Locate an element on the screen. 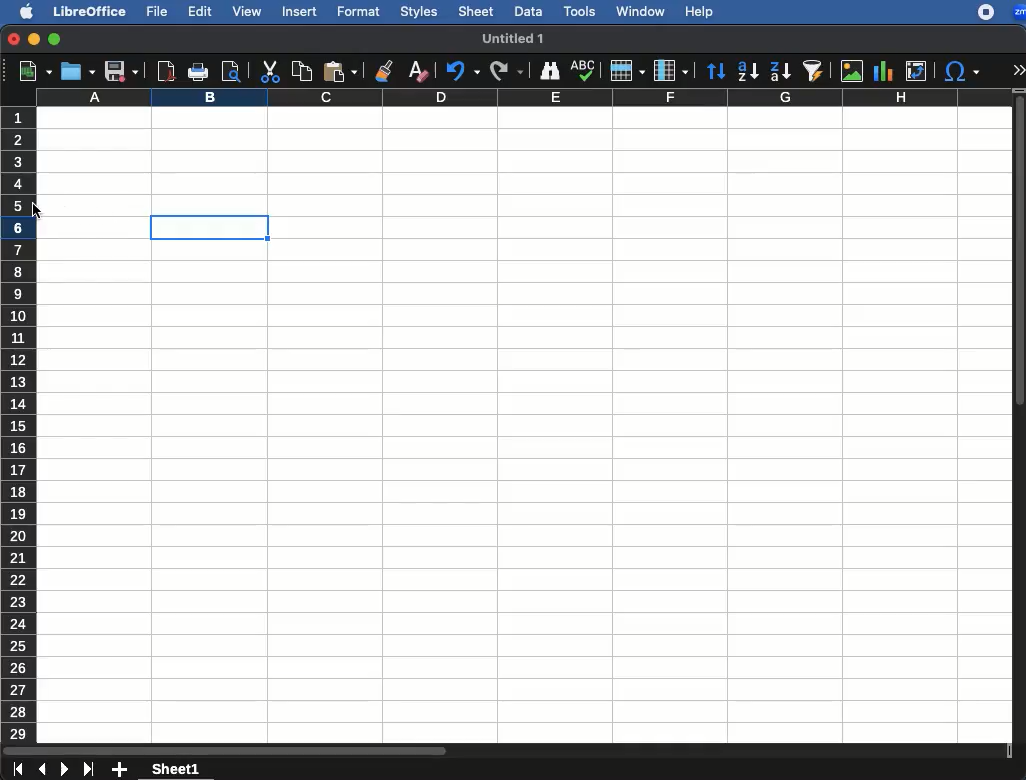 This screenshot has height=780, width=1026. rows is located at coordinates (17, 425).